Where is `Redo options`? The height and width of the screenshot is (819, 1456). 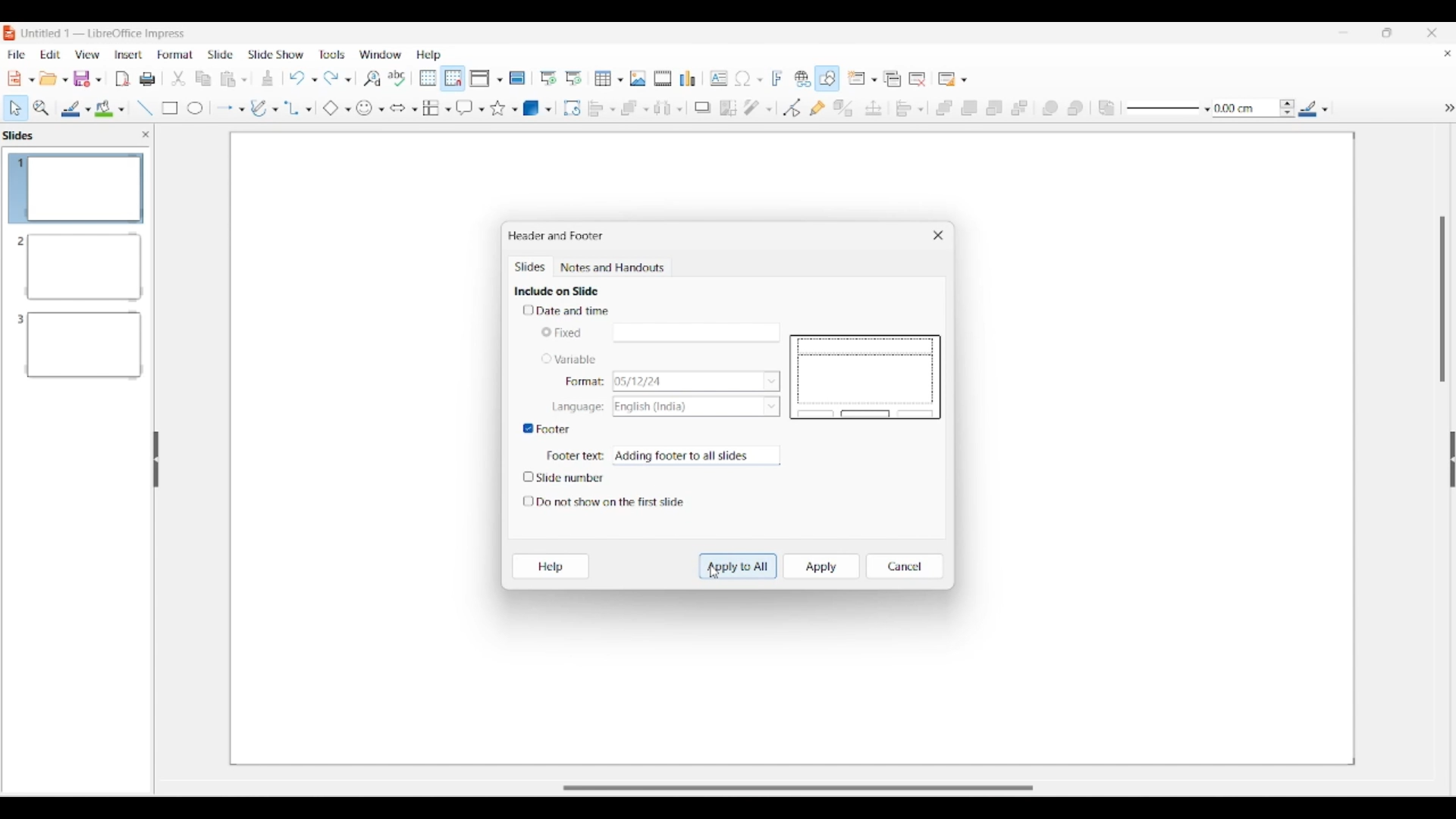
Redo options is located at coordinates (337, 77).